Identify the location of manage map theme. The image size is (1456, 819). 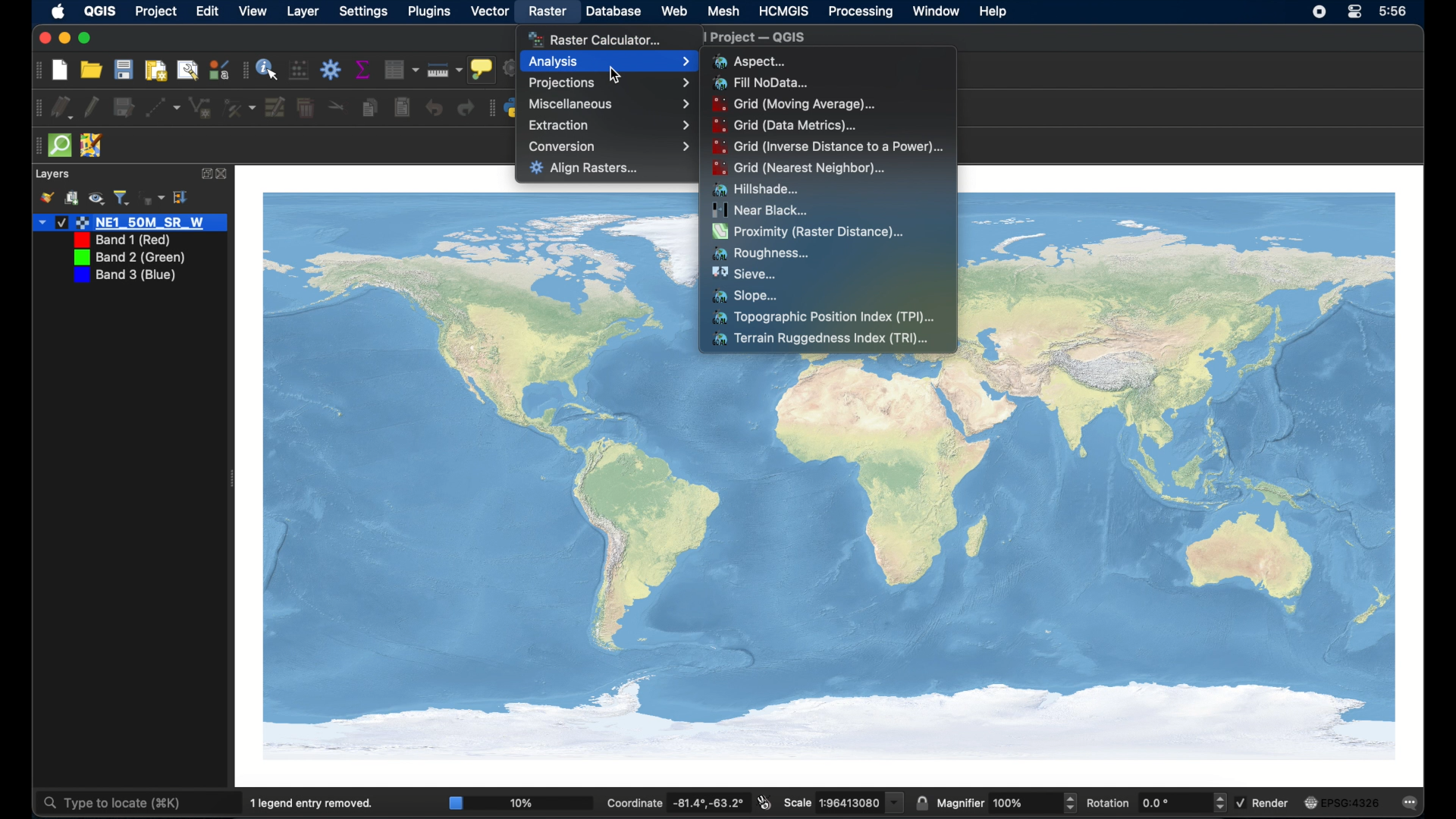
(97, 199).